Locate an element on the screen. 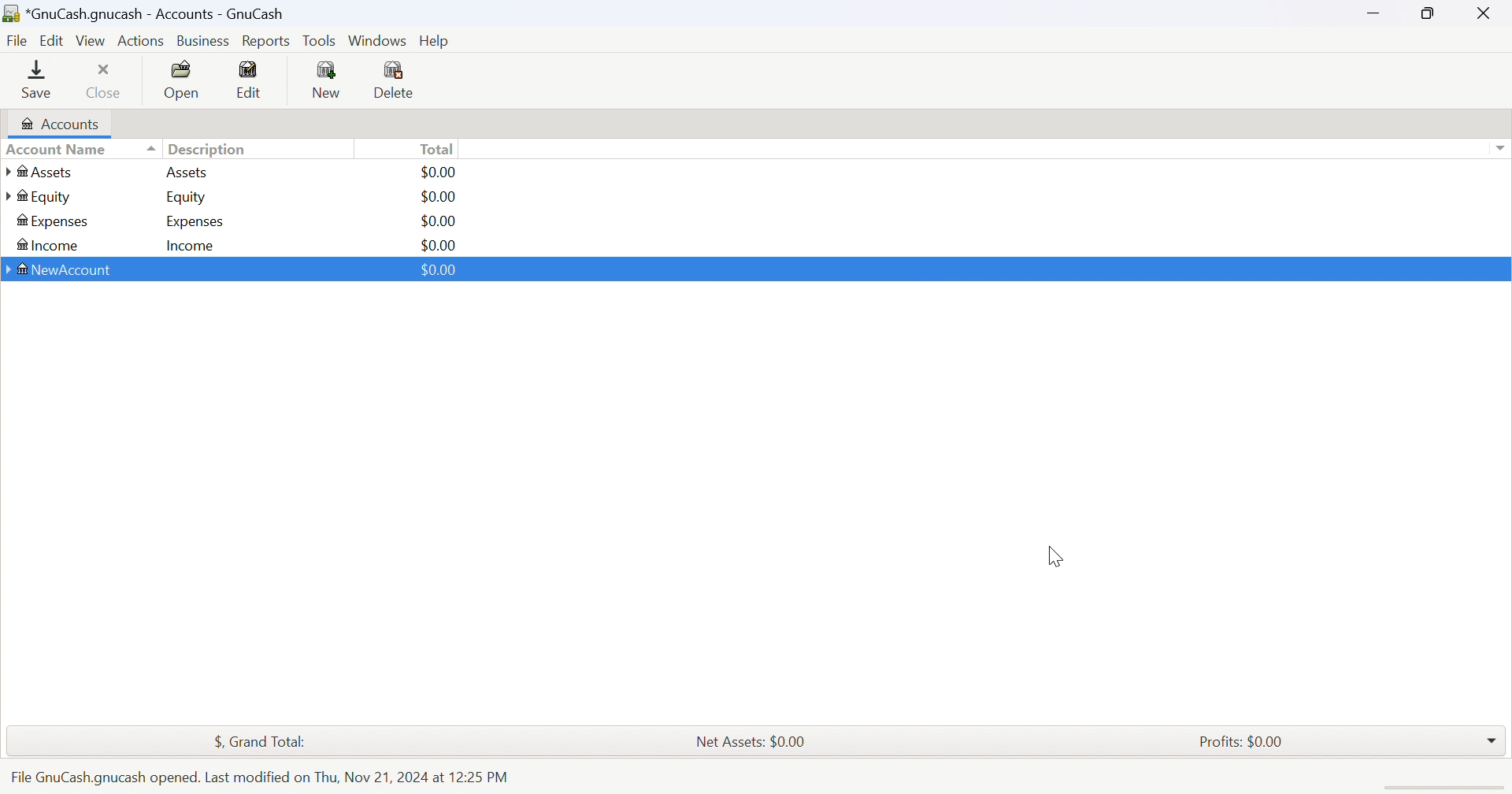 The height and width of the screenshot is (794, 1512). $0.00 is located at coordinates (439, 245).